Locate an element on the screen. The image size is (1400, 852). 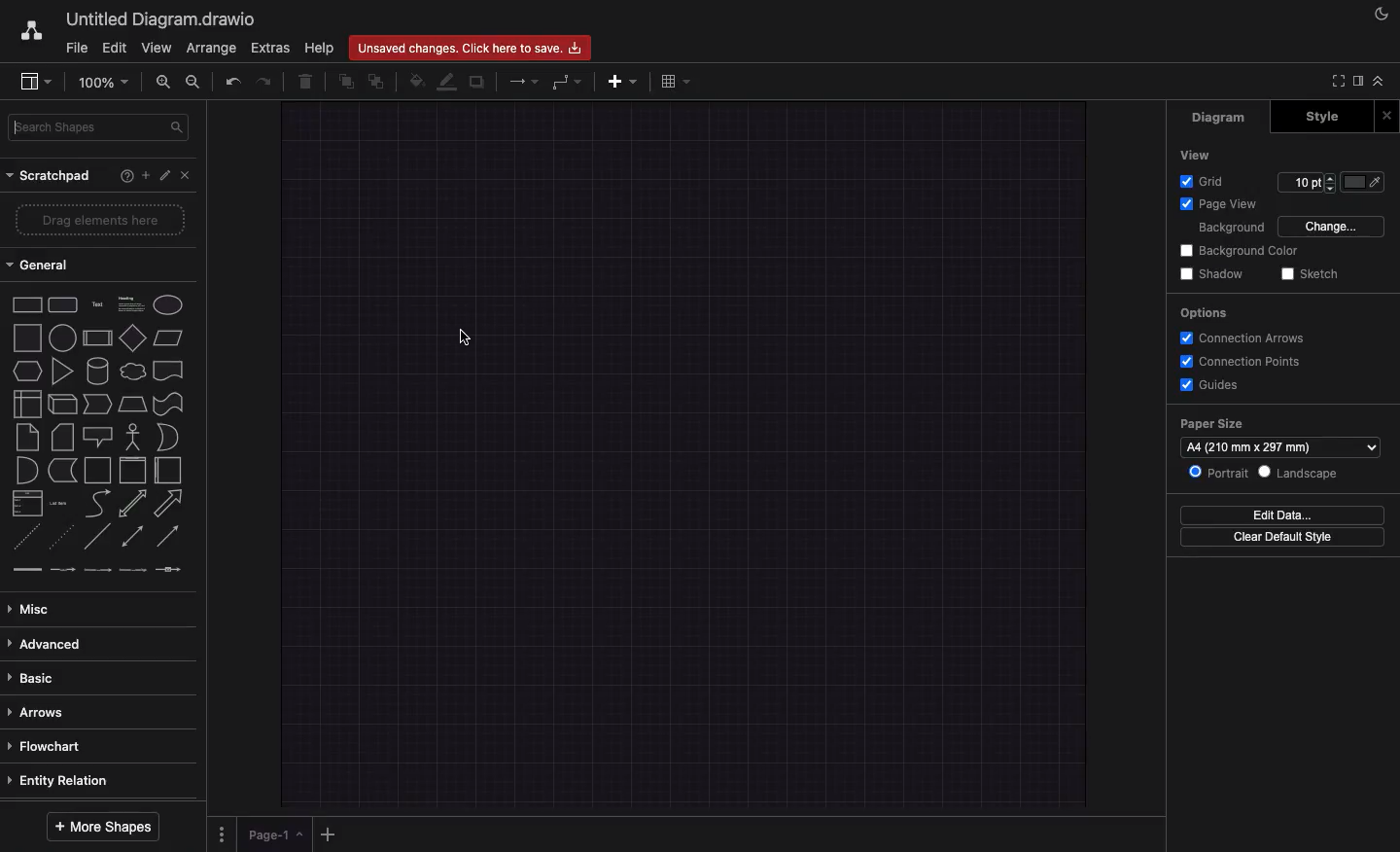
Basic is located at coordinates (36, 676).